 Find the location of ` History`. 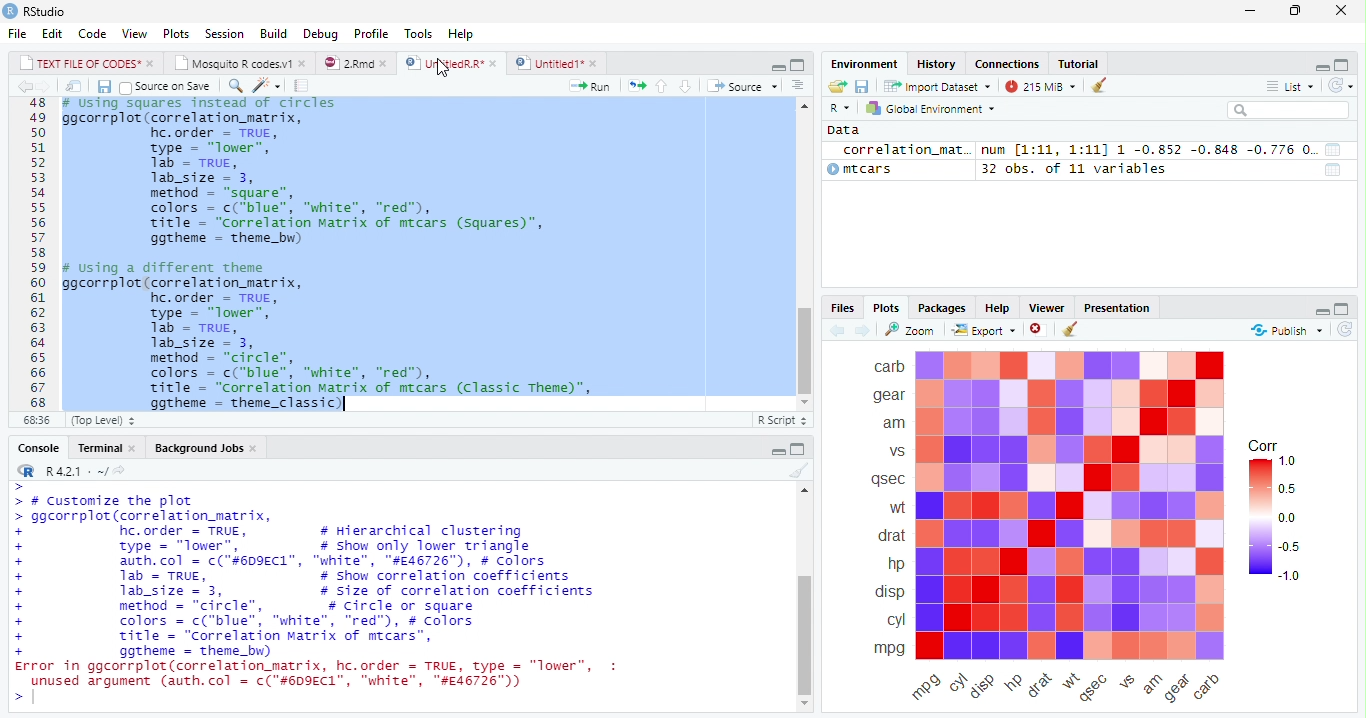

 History is located at coordinates (938, 66).